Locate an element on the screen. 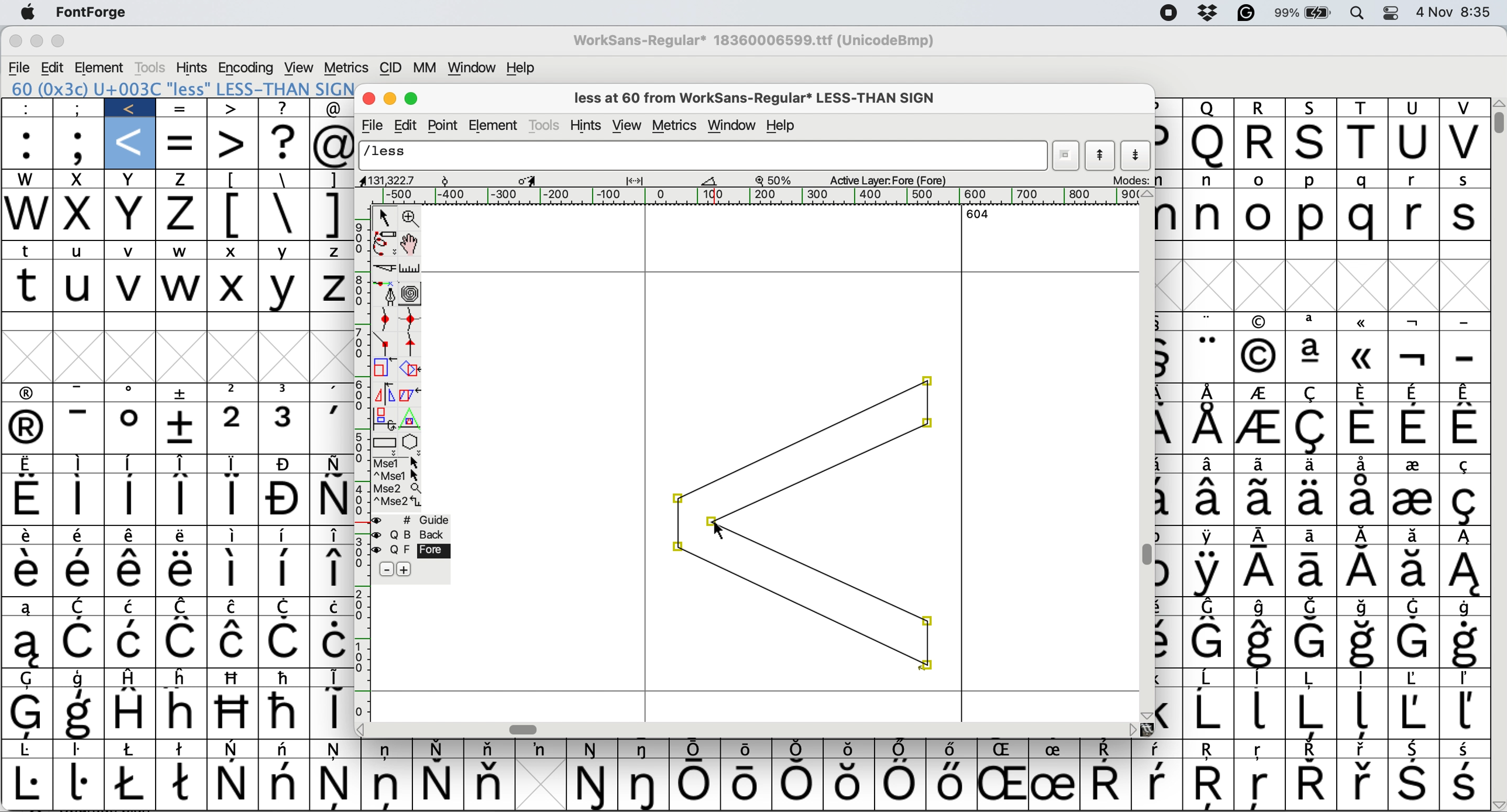 This screenshot has height=812, width=1507. Symbol is located at coordinates (1412, 783).